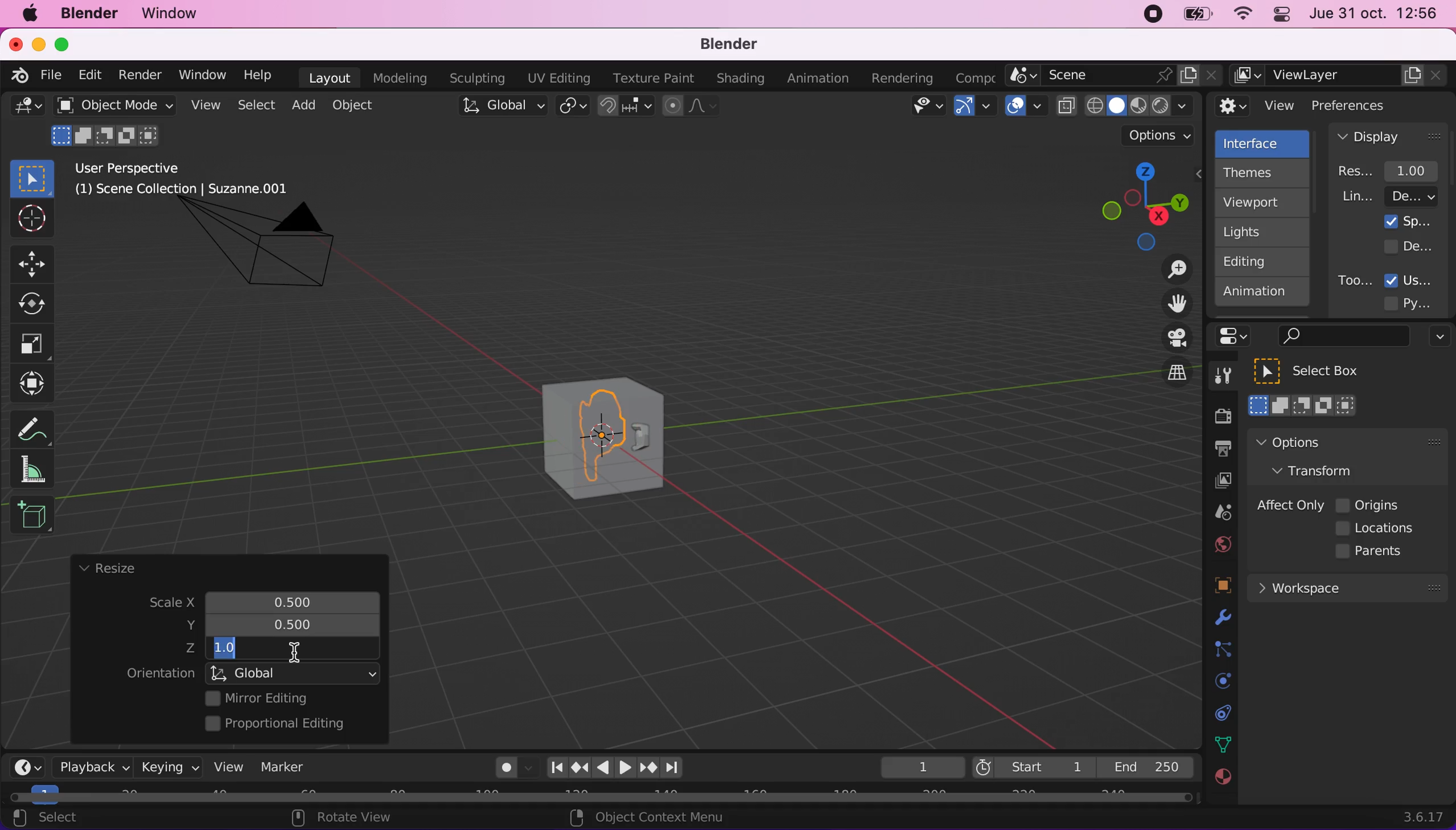  What do you see at coordinates (1369, 503) in the screenshot?
I see `origins` at bounding box center [1369, 503].